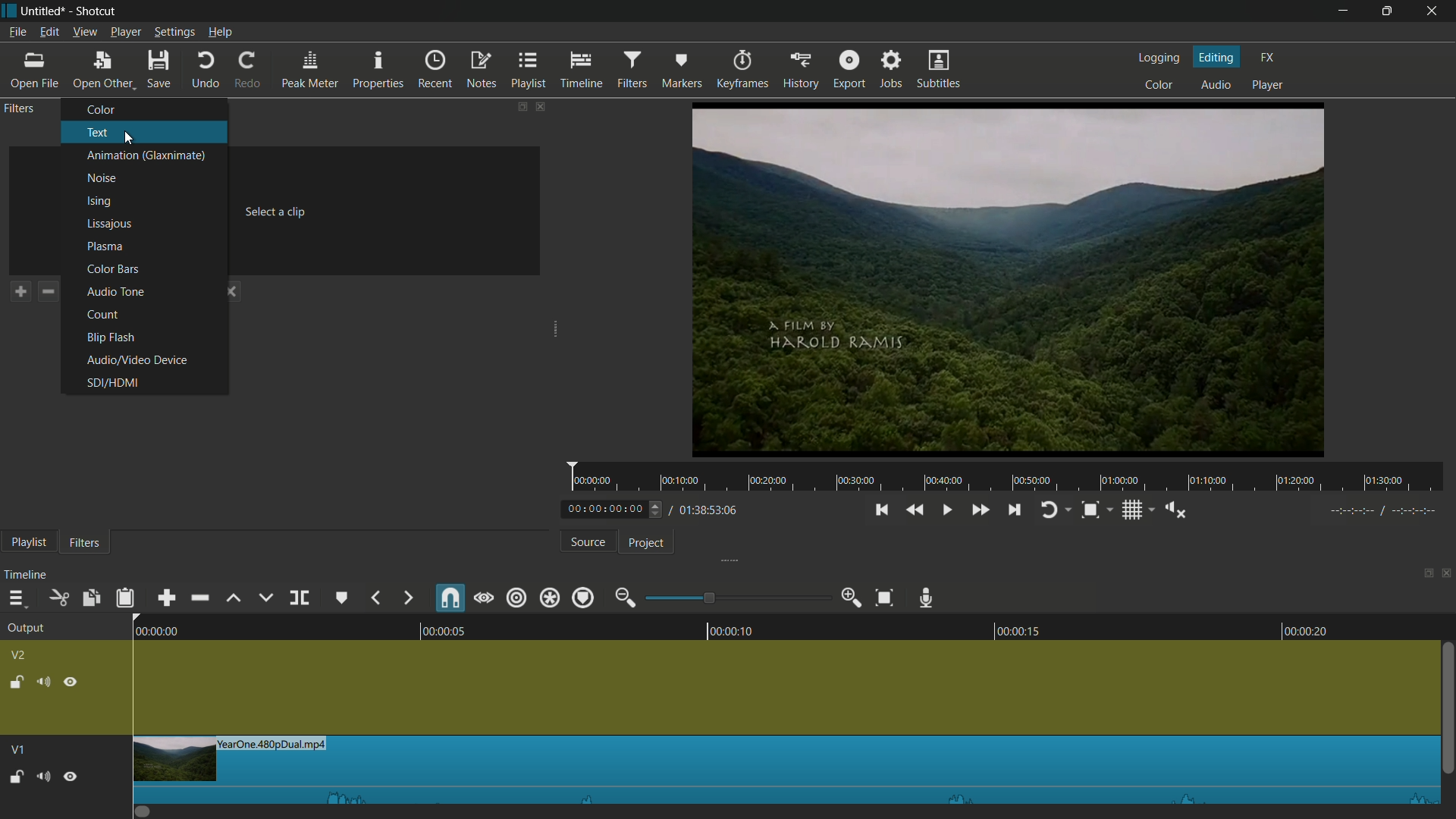  Describe the element at coordinates (27, 576) in the screenshot. I see `timeline` at that location.